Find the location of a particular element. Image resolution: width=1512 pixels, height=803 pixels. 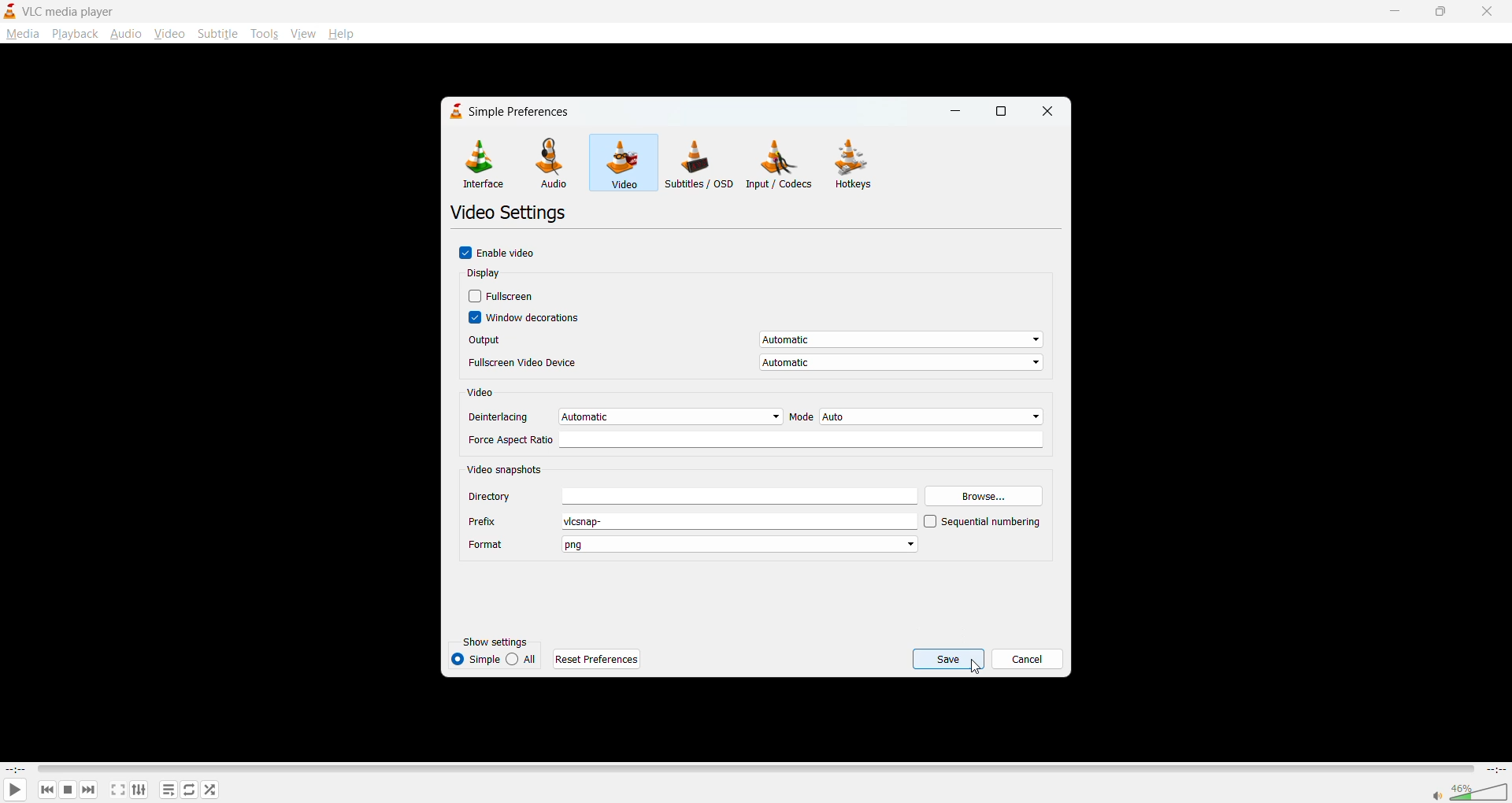

deinterlacing is located at coordinates (624, 416).